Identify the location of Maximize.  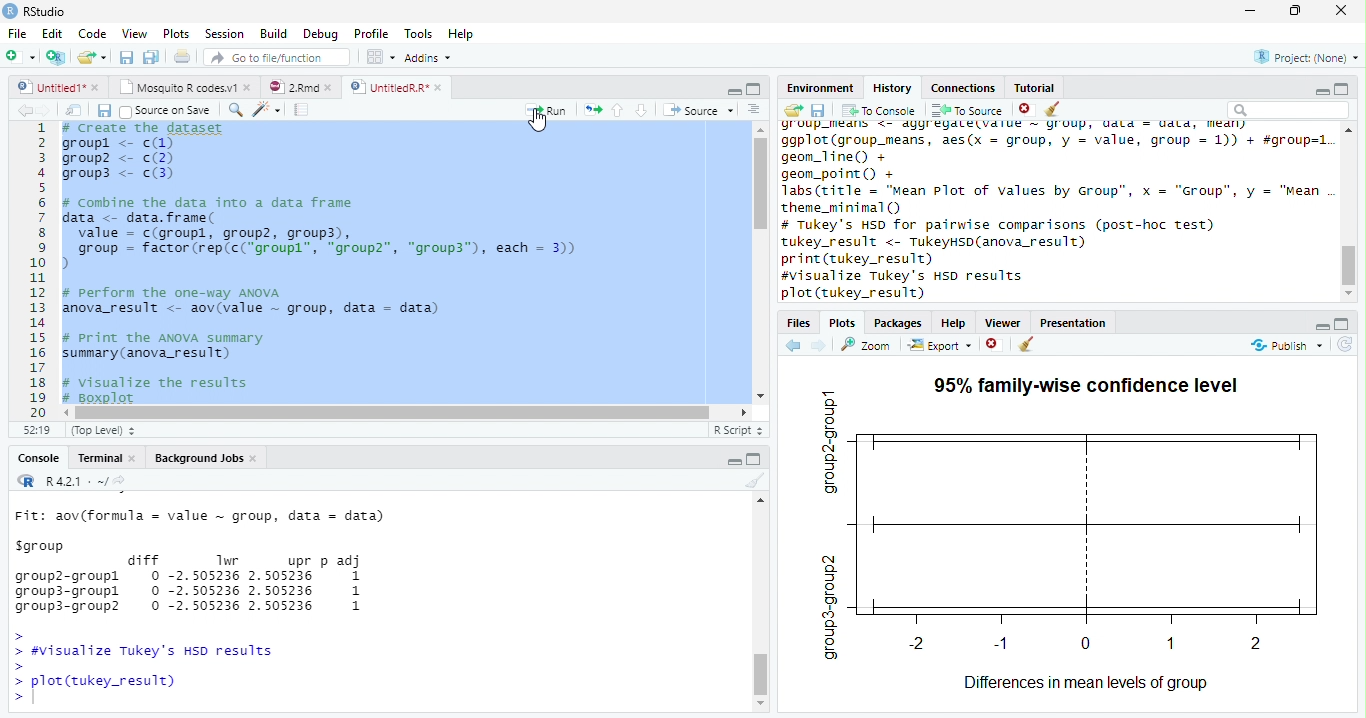
(754, 90).